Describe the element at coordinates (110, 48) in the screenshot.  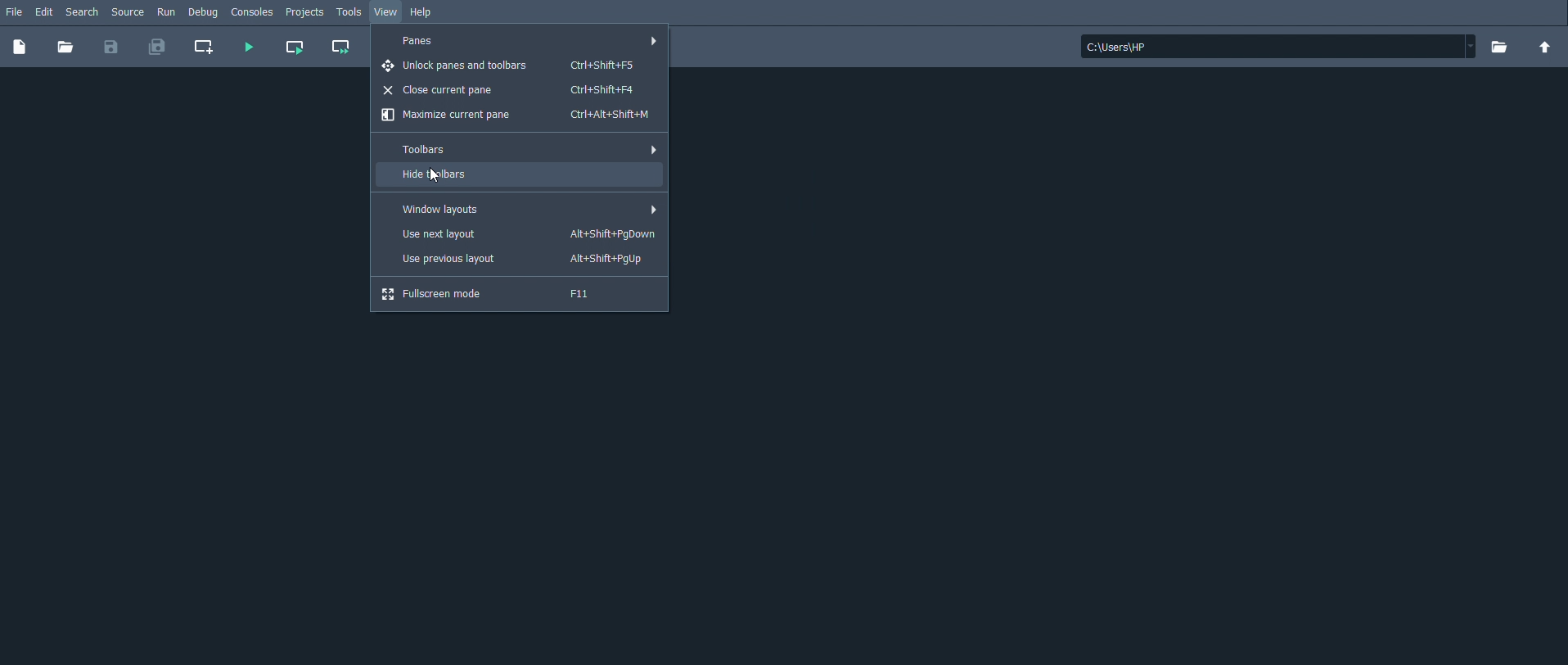
I see `Save file` at that location.